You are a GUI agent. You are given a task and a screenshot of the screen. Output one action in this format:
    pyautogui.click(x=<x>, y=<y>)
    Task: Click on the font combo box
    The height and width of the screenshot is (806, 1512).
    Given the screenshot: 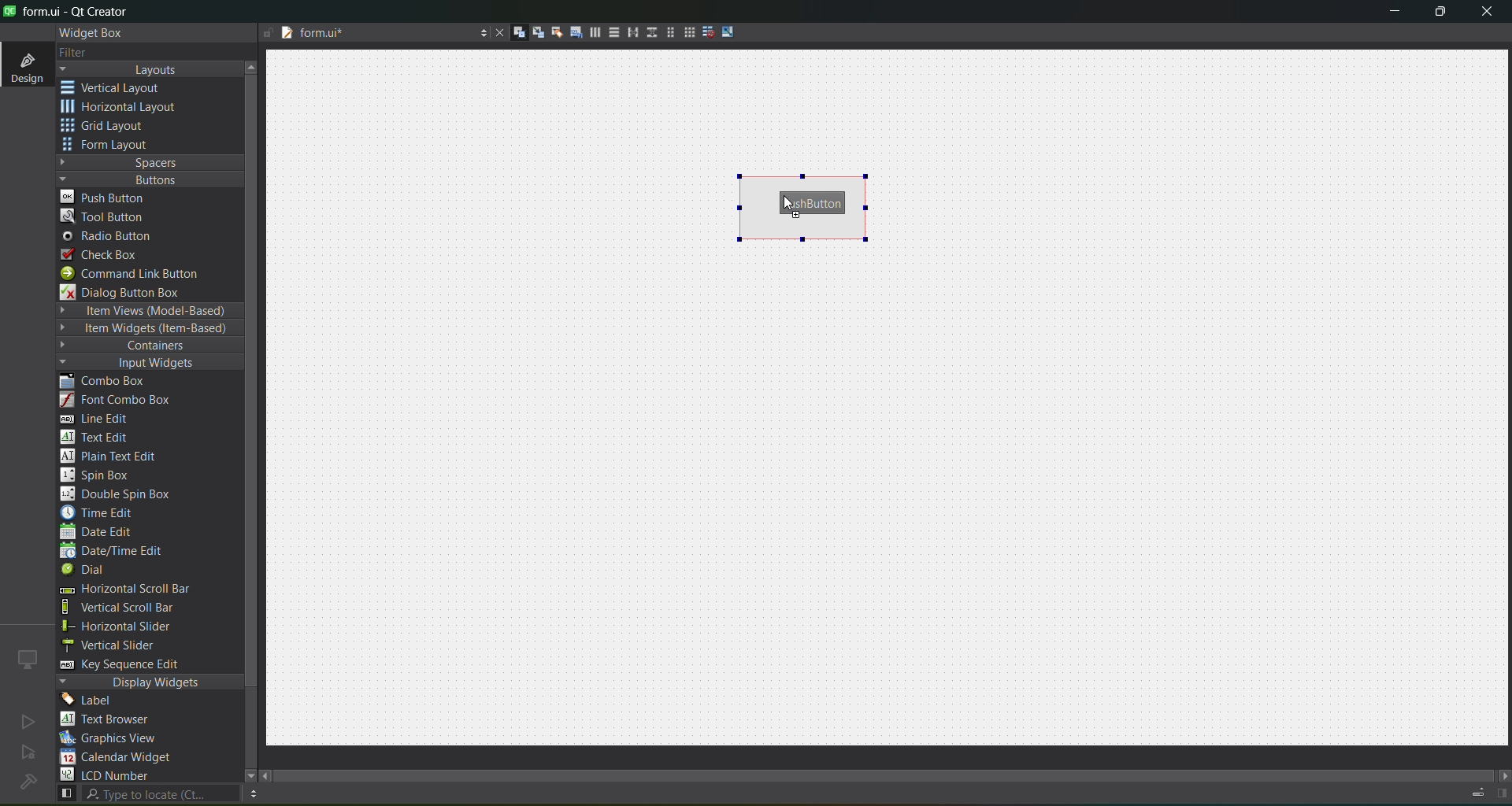 What is the action you would take?
    pyautogui.click(x=121, y=401)
    